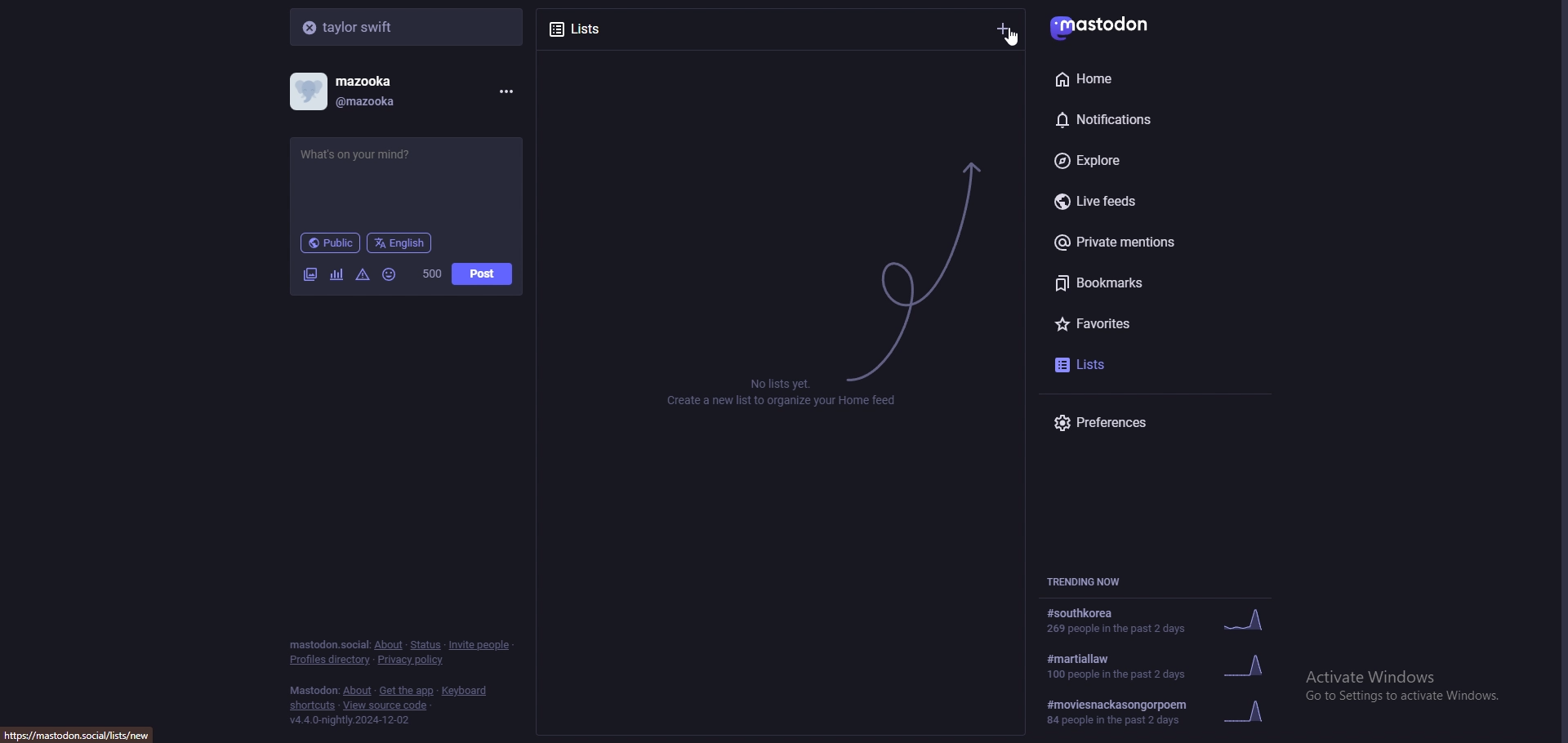 Image resolution: width=1568 pixels, height=743 pixels. Describe the element at coordinates (385, 706) in the screenshot. I see `view source code` at that location.